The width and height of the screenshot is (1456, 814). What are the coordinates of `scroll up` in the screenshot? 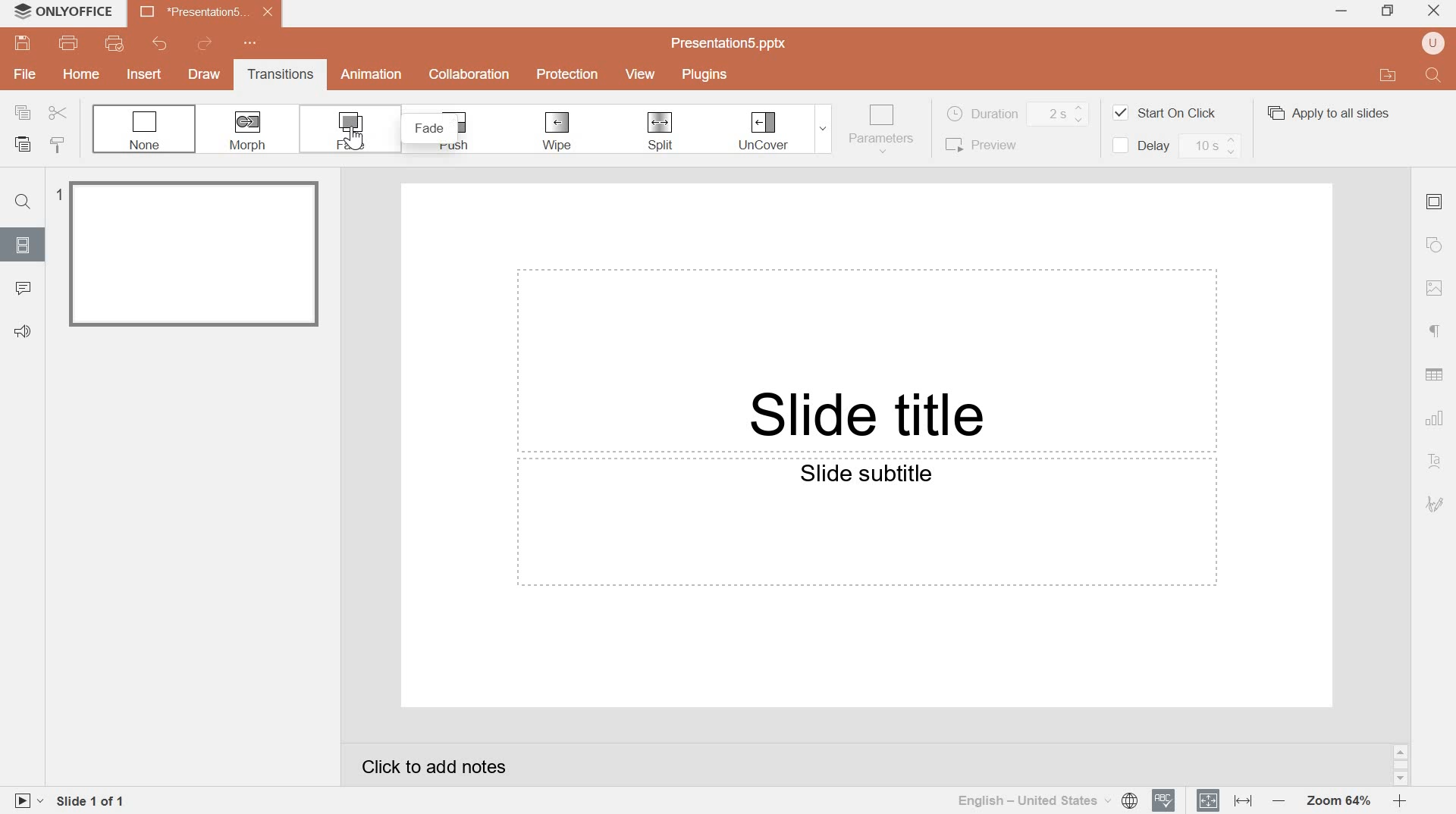 It's located at (1401, 752).